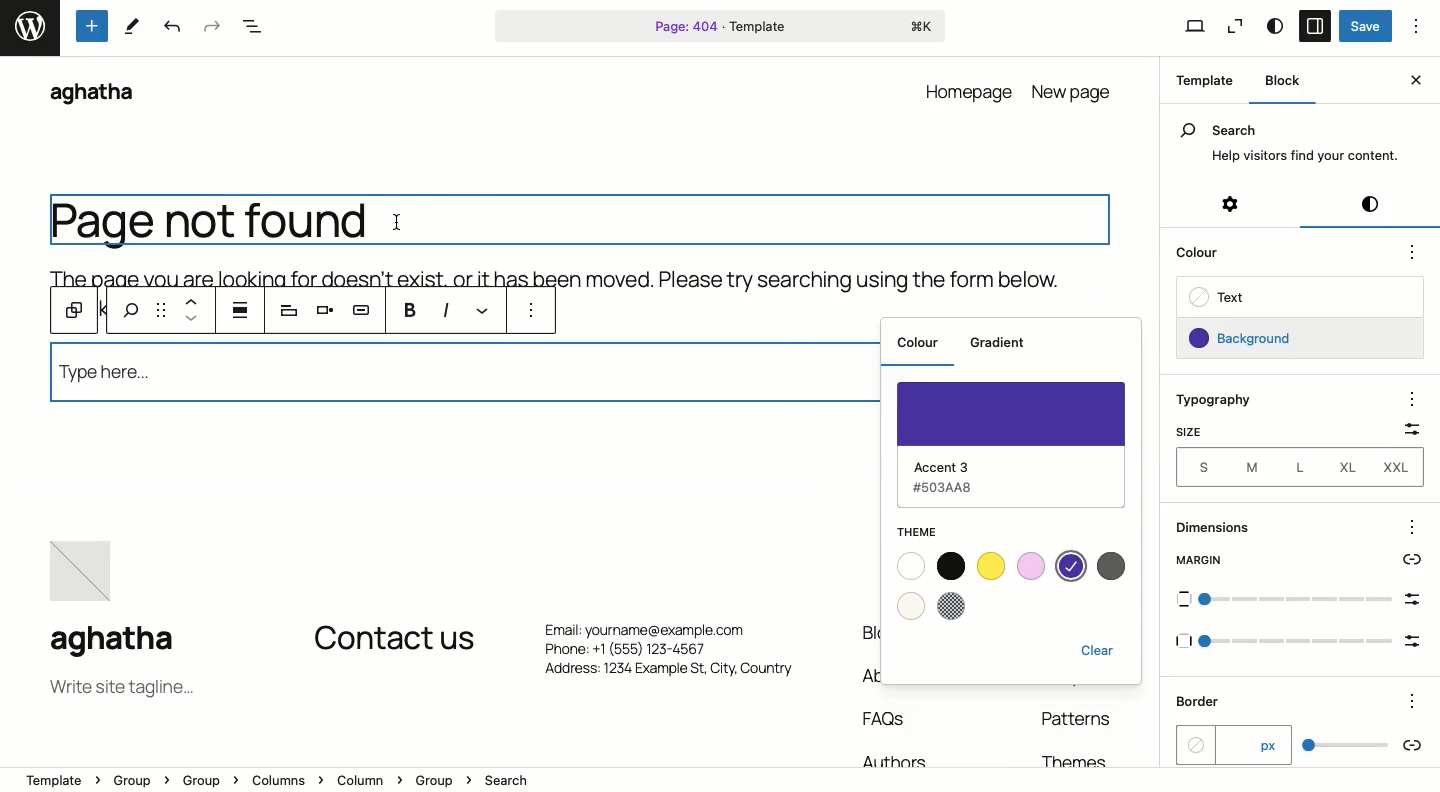 This screenshot has width=1440, height=792. What do you see at coordinates (1237, 25) in the screenshot?
I see `Zoom out` at bounding box center [1237, 25].